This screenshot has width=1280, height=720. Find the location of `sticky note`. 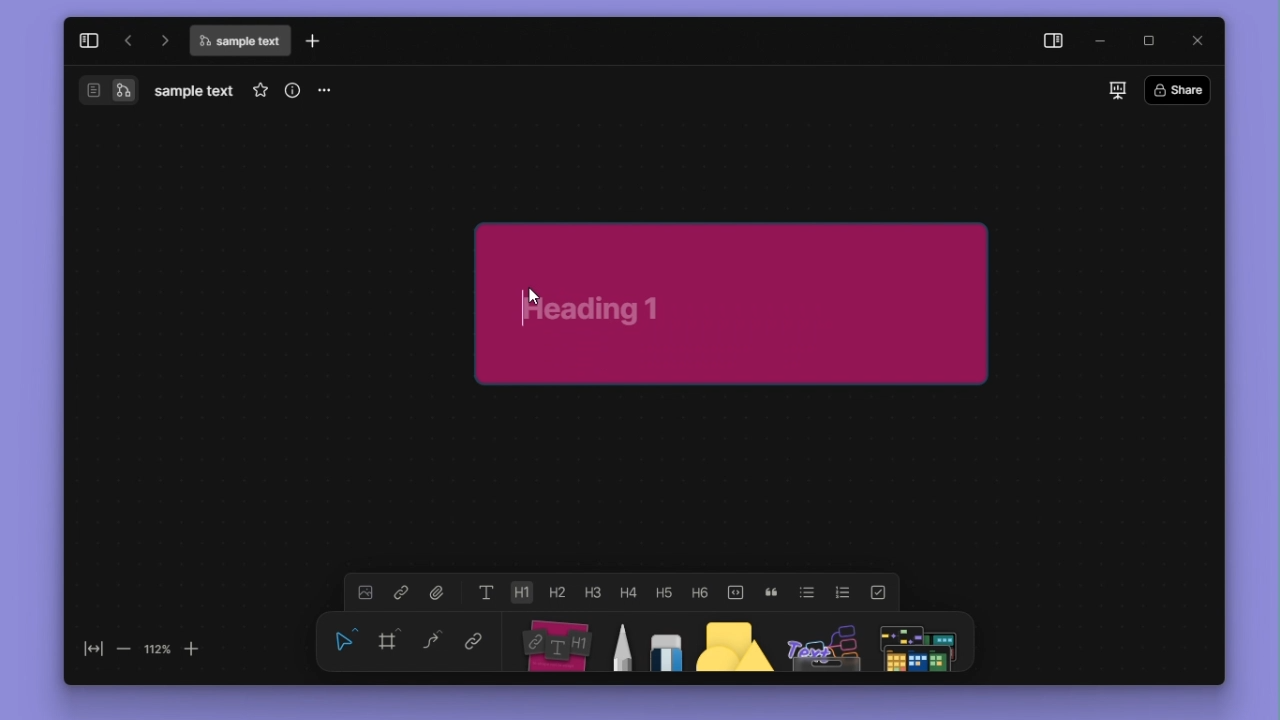

sticky note is located at coordinates (733, 303).